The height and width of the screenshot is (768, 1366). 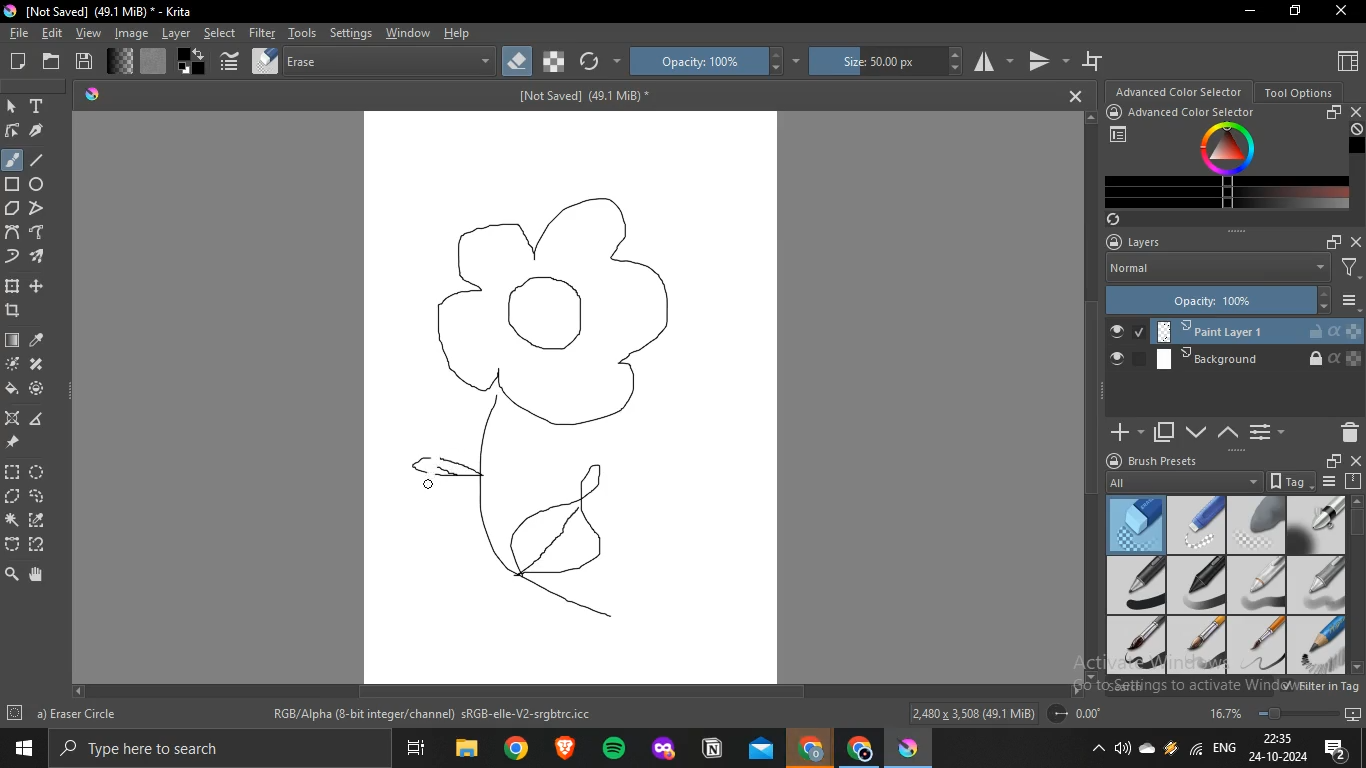 What do you see at coordinates (38, 185) in the screenshot?
I see `ellipse tool` at bounding box center [38, 185].